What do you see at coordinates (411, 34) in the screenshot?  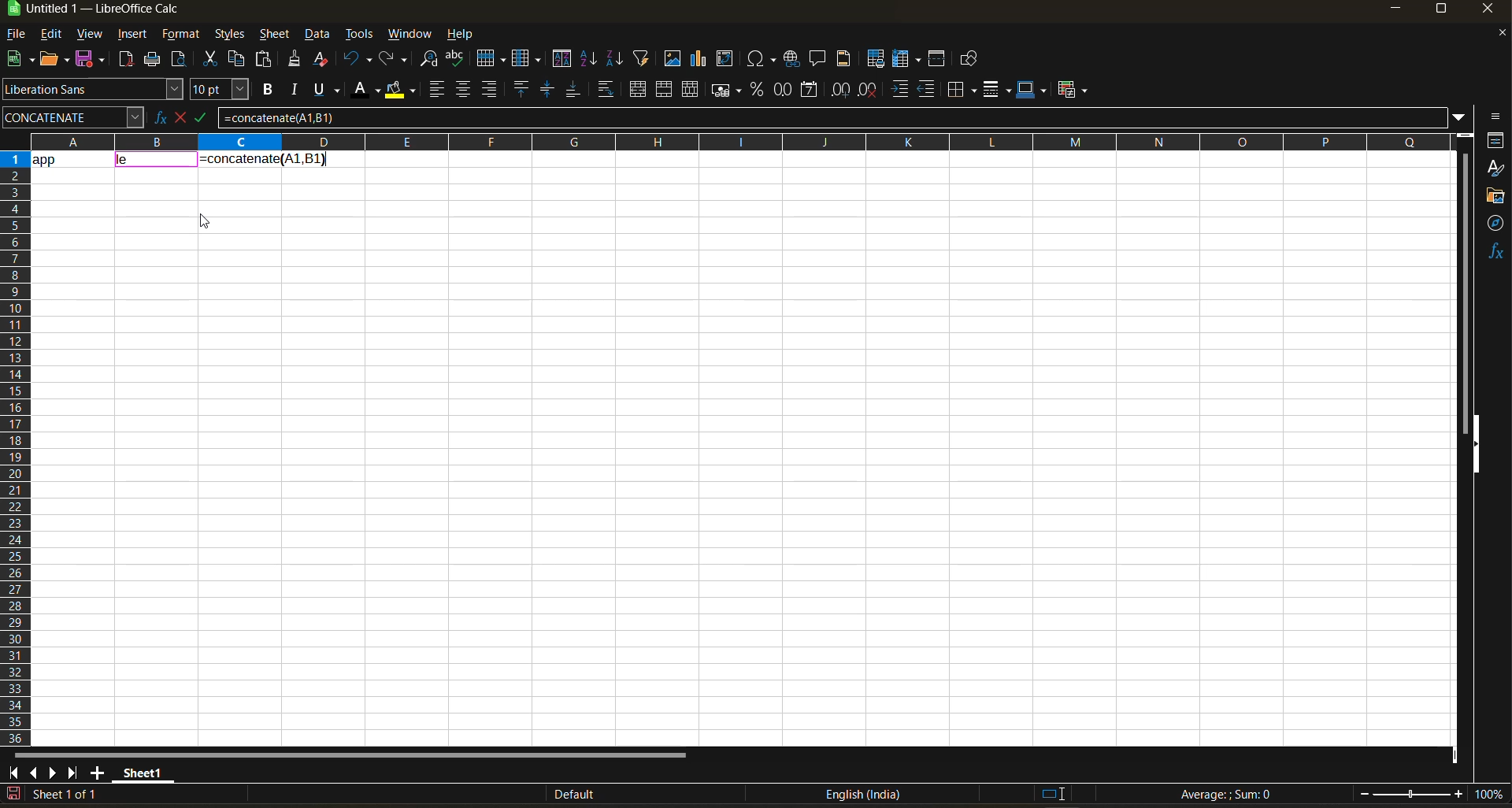 I see `window` at bounding box center [411, 34].